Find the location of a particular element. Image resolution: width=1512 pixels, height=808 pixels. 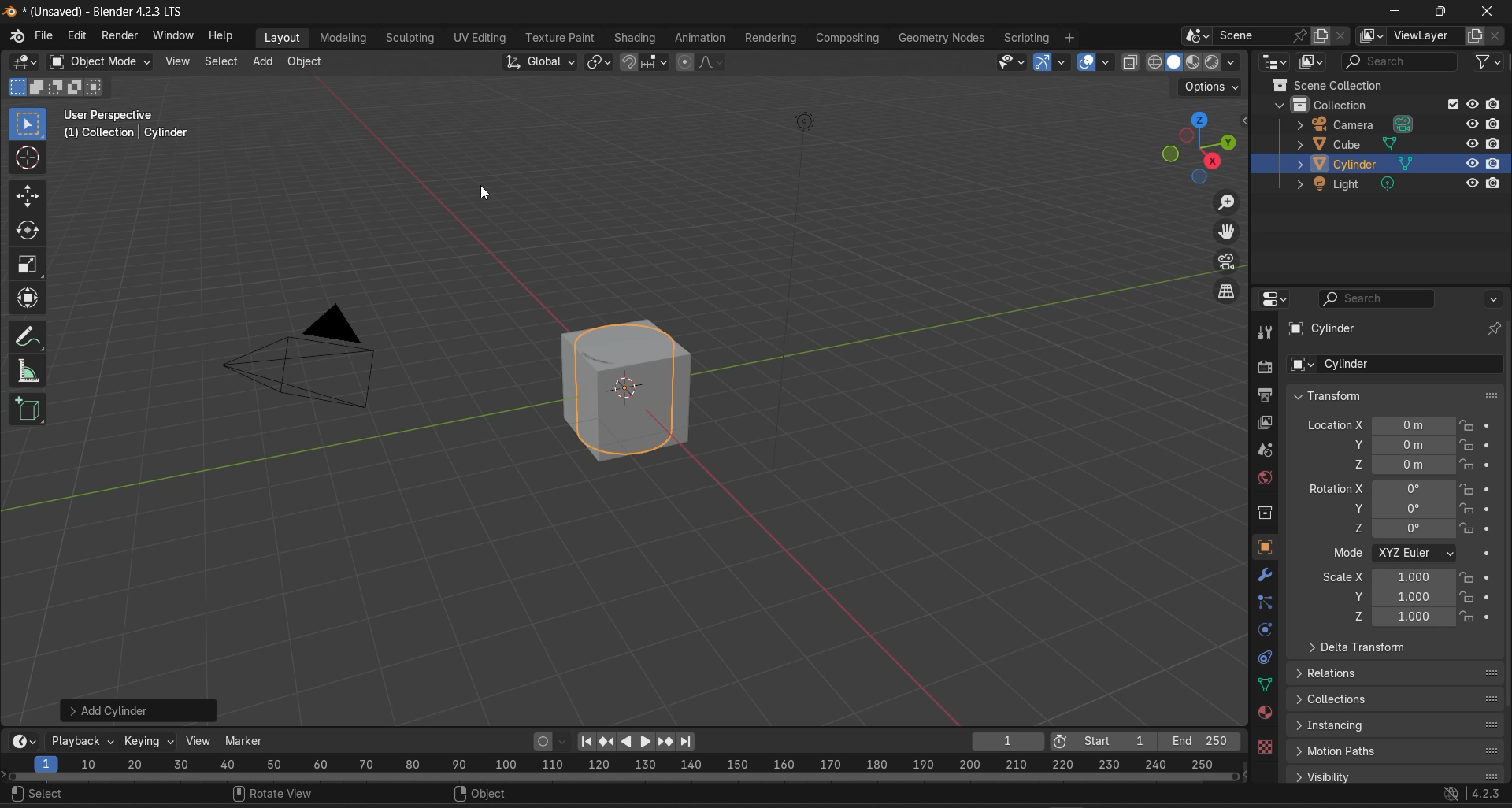

toggle pin ID is located at coordinates (1495, 328).